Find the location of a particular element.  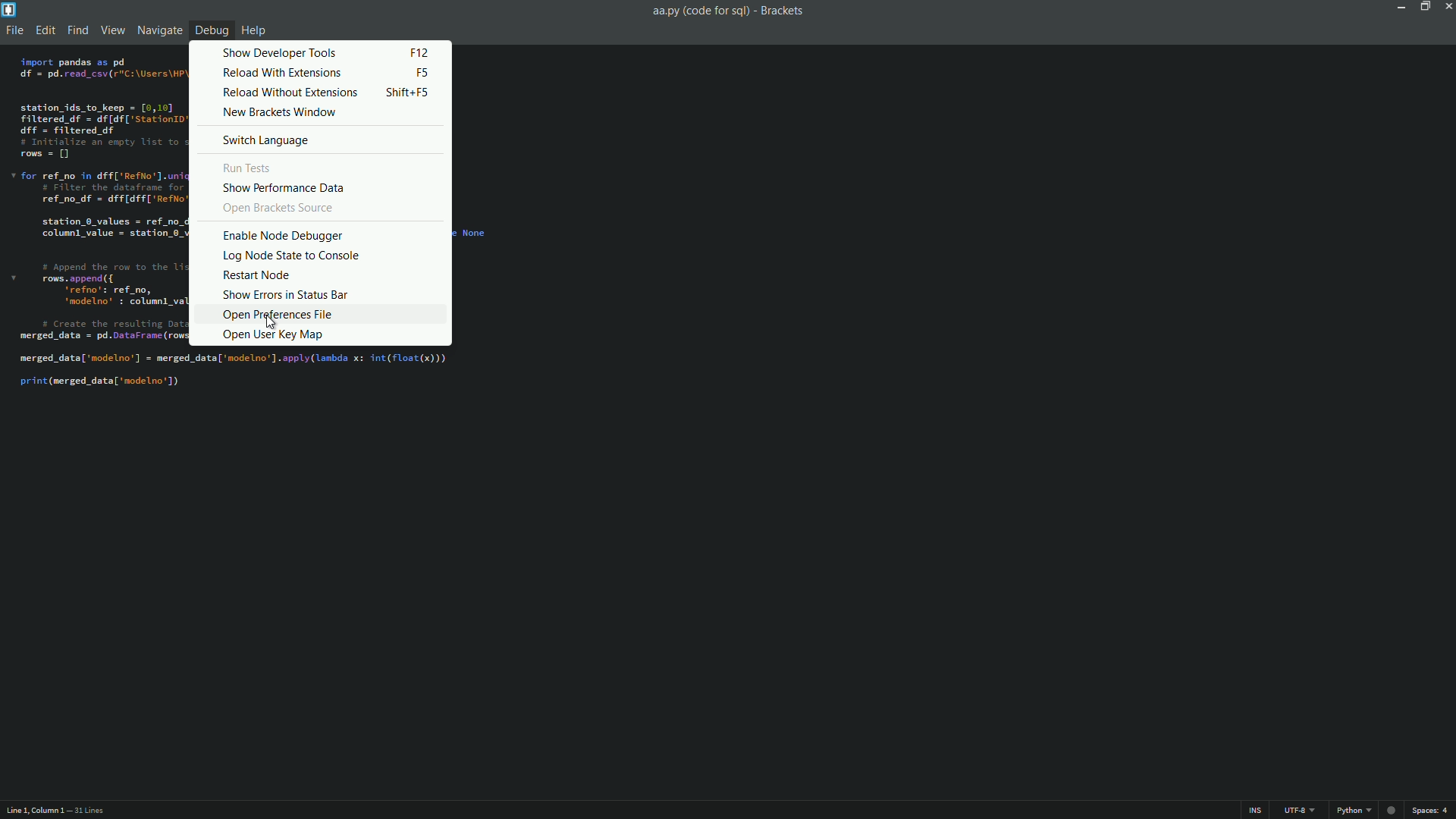

open brackets source is located at coordinates (278, 208).